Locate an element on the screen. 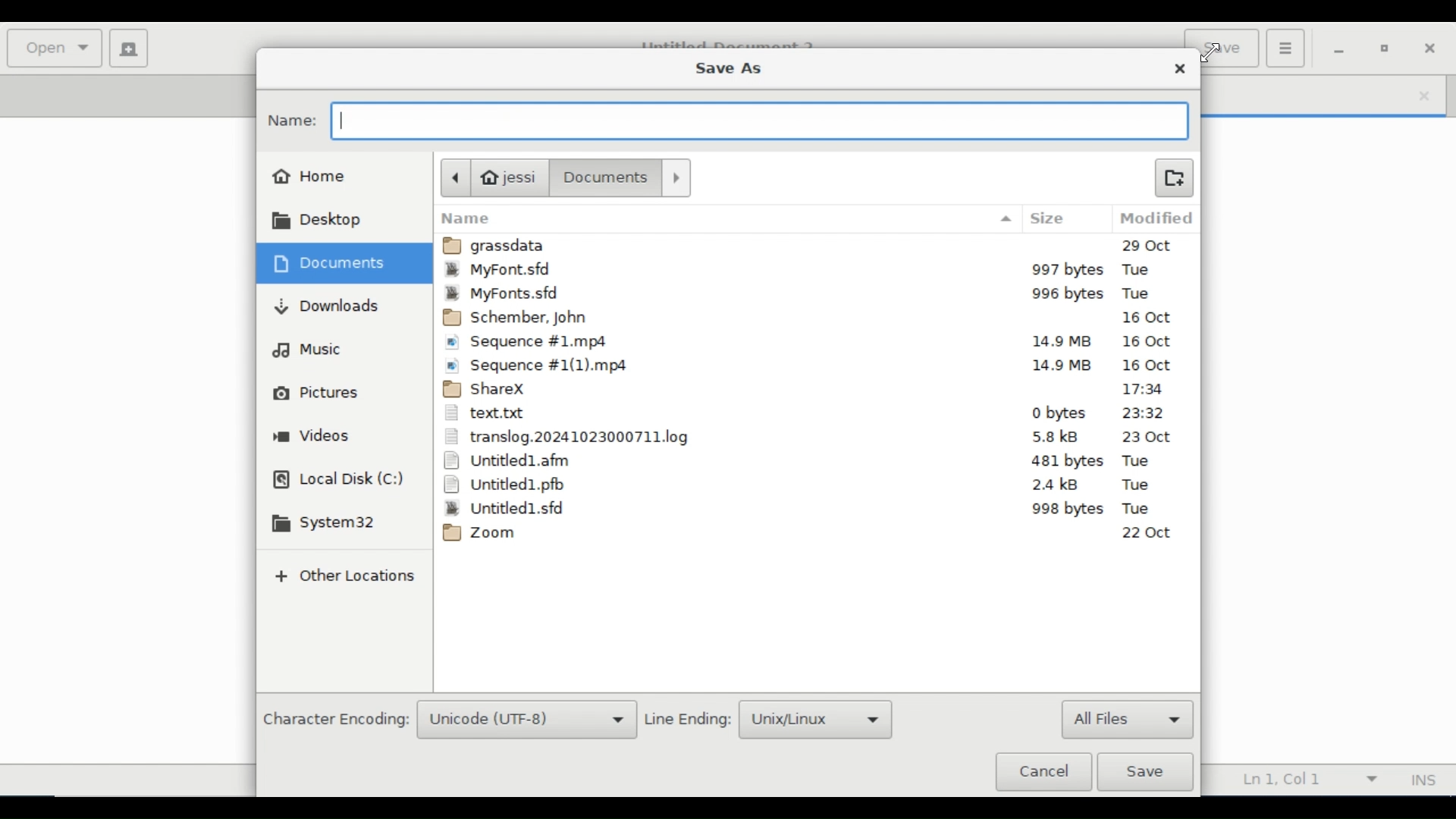 The image size is (1456, 819). Close is located at coordinates (1181, 69).